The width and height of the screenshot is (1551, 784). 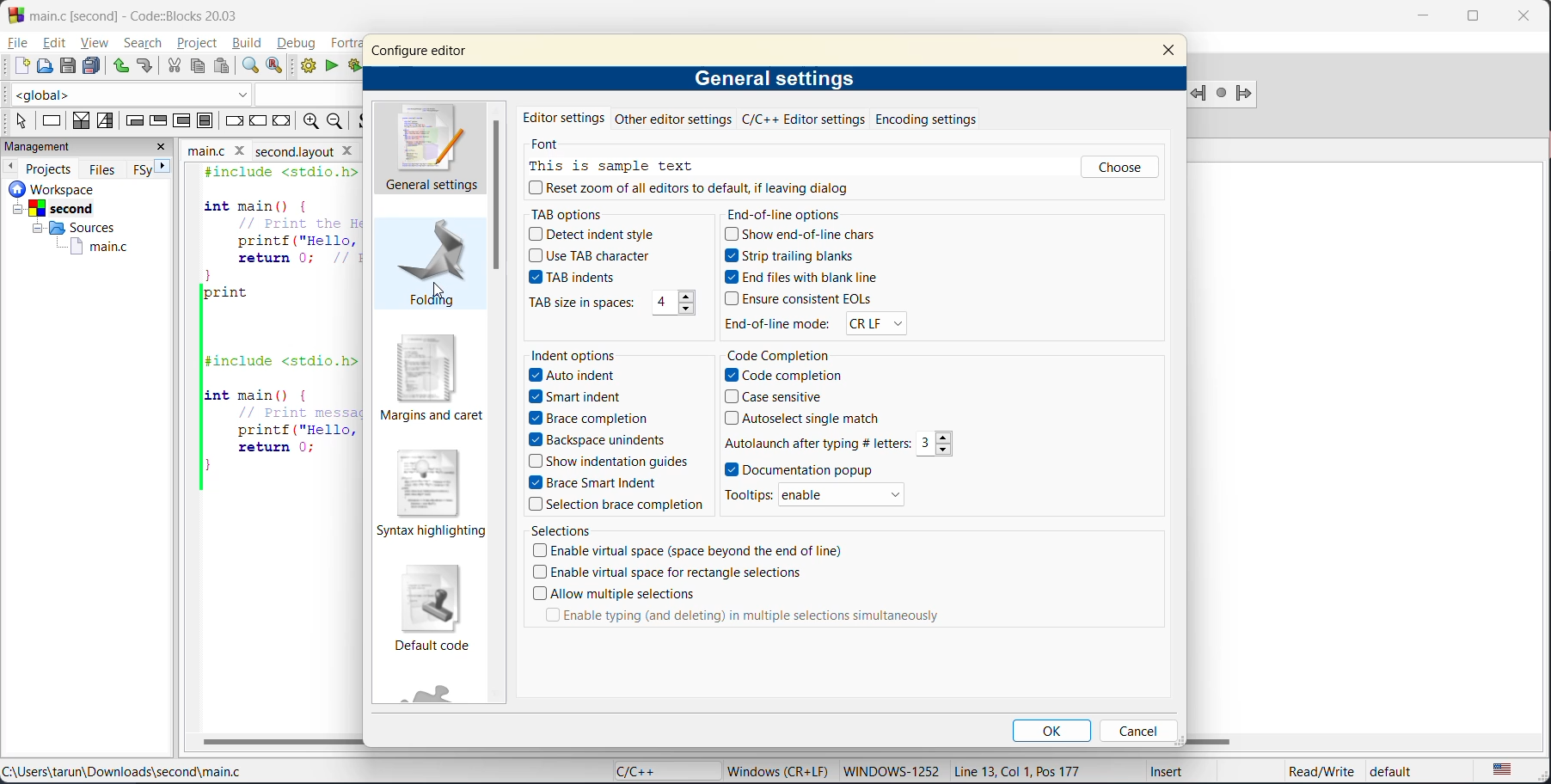 I want to click on Insert, so click(x=1161, y=774).